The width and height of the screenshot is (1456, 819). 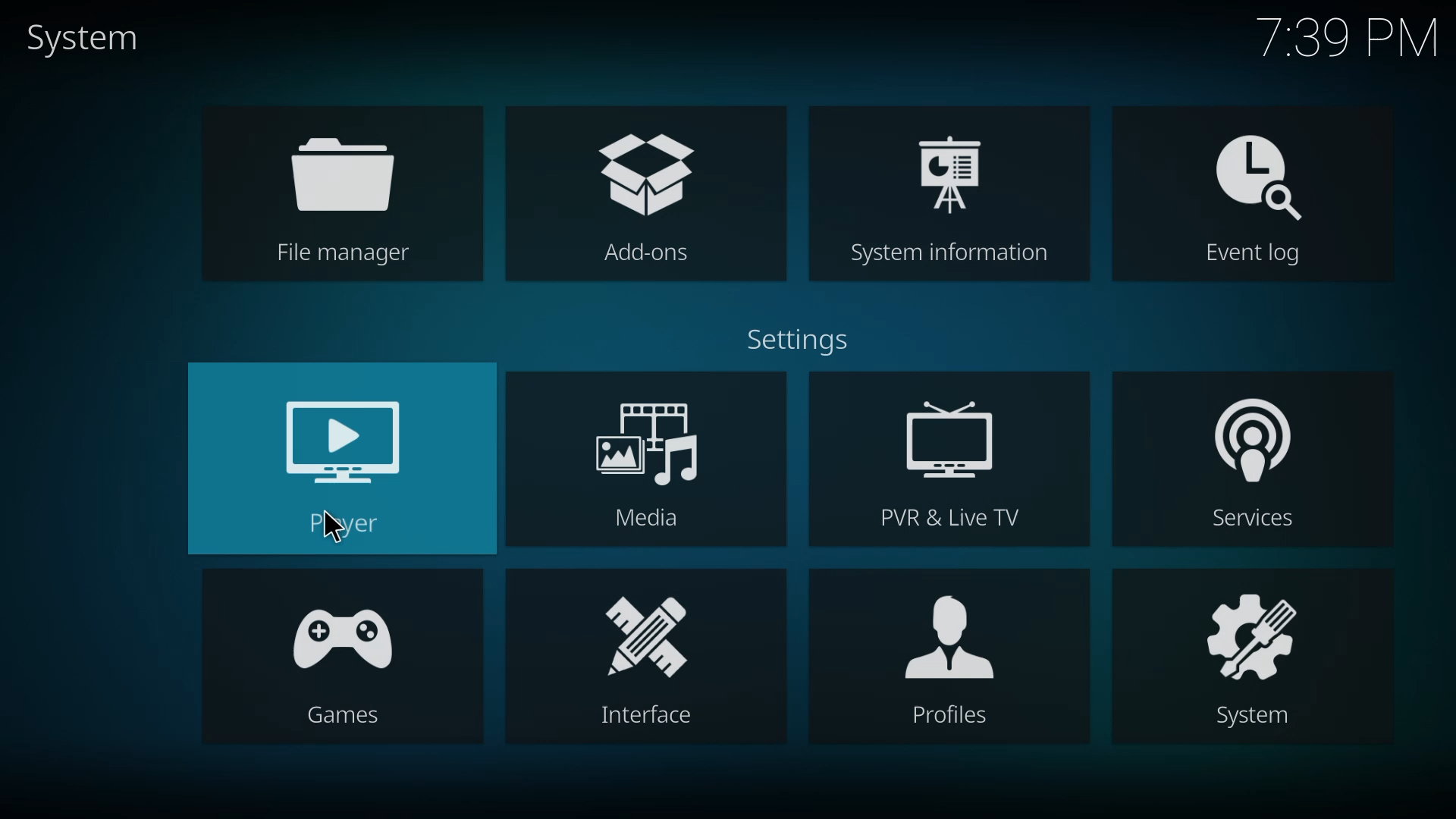 What do you see at coordinates (346, 654) in the screenshot?
I see `games` at bounding box center [346, 654].